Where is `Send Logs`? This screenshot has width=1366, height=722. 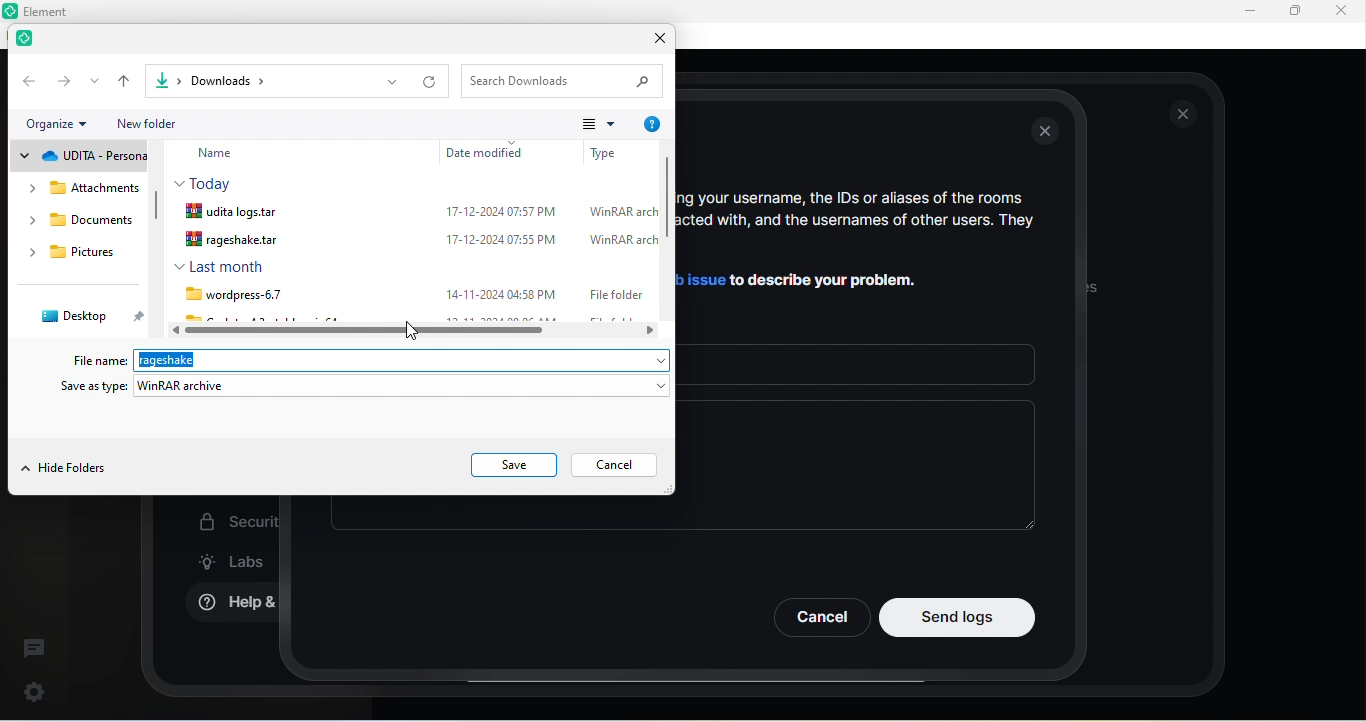 Send Logs is located at coordinates (958, 617).